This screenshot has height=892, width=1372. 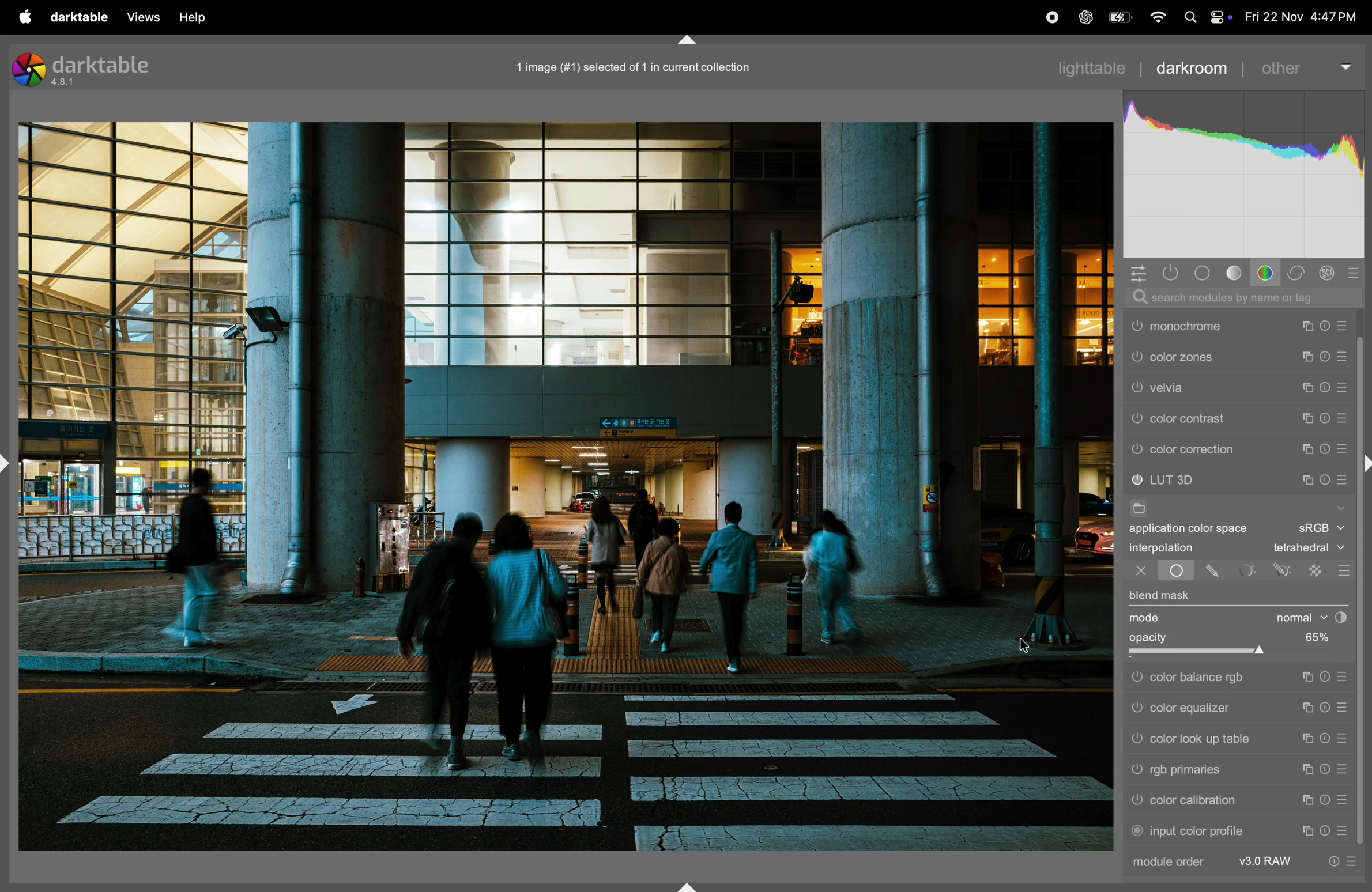 I want to click on color balance rgb switched off, so click(x=1136, y=678).